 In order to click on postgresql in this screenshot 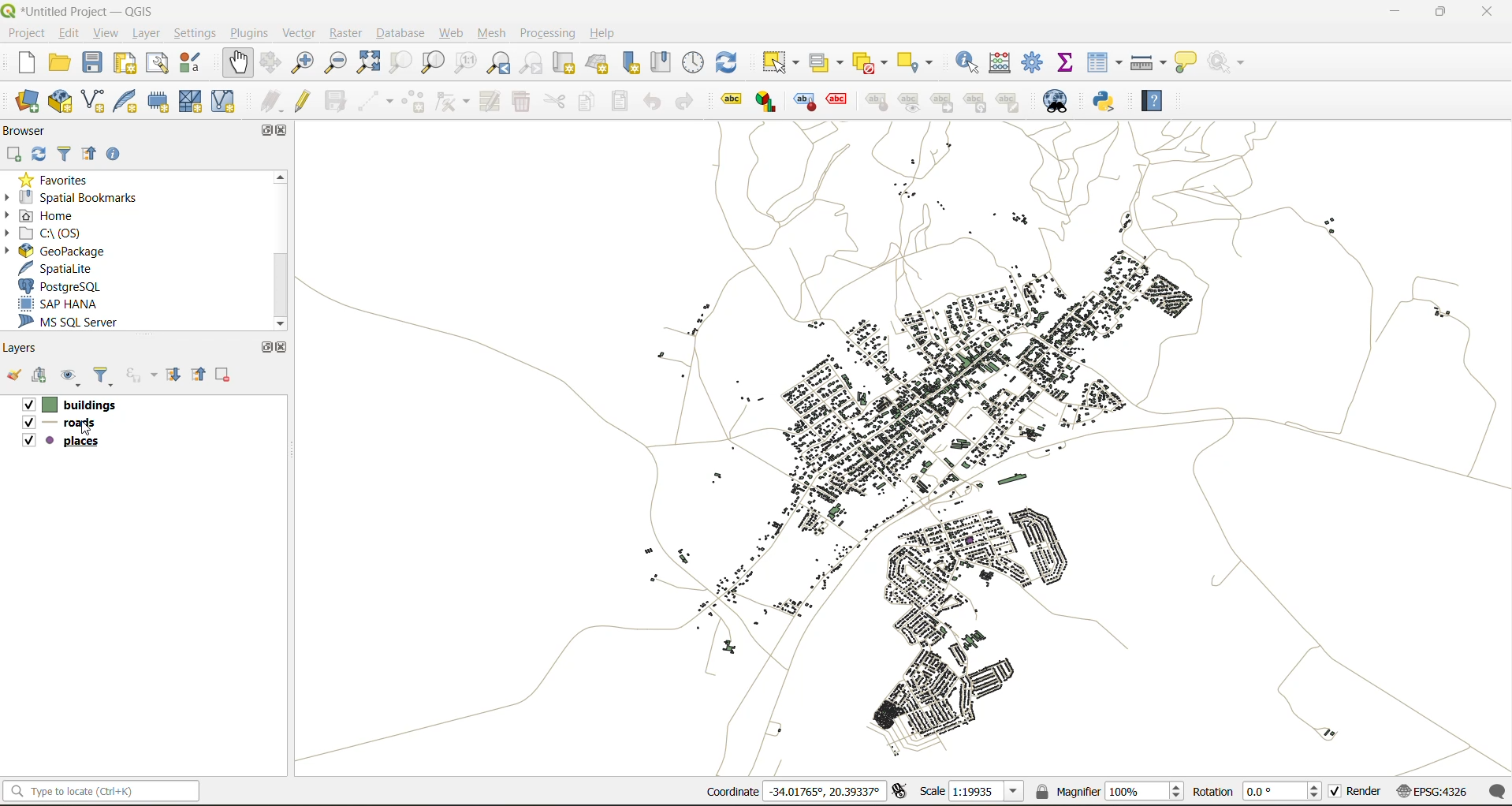, I will do `click(61, 285)`.